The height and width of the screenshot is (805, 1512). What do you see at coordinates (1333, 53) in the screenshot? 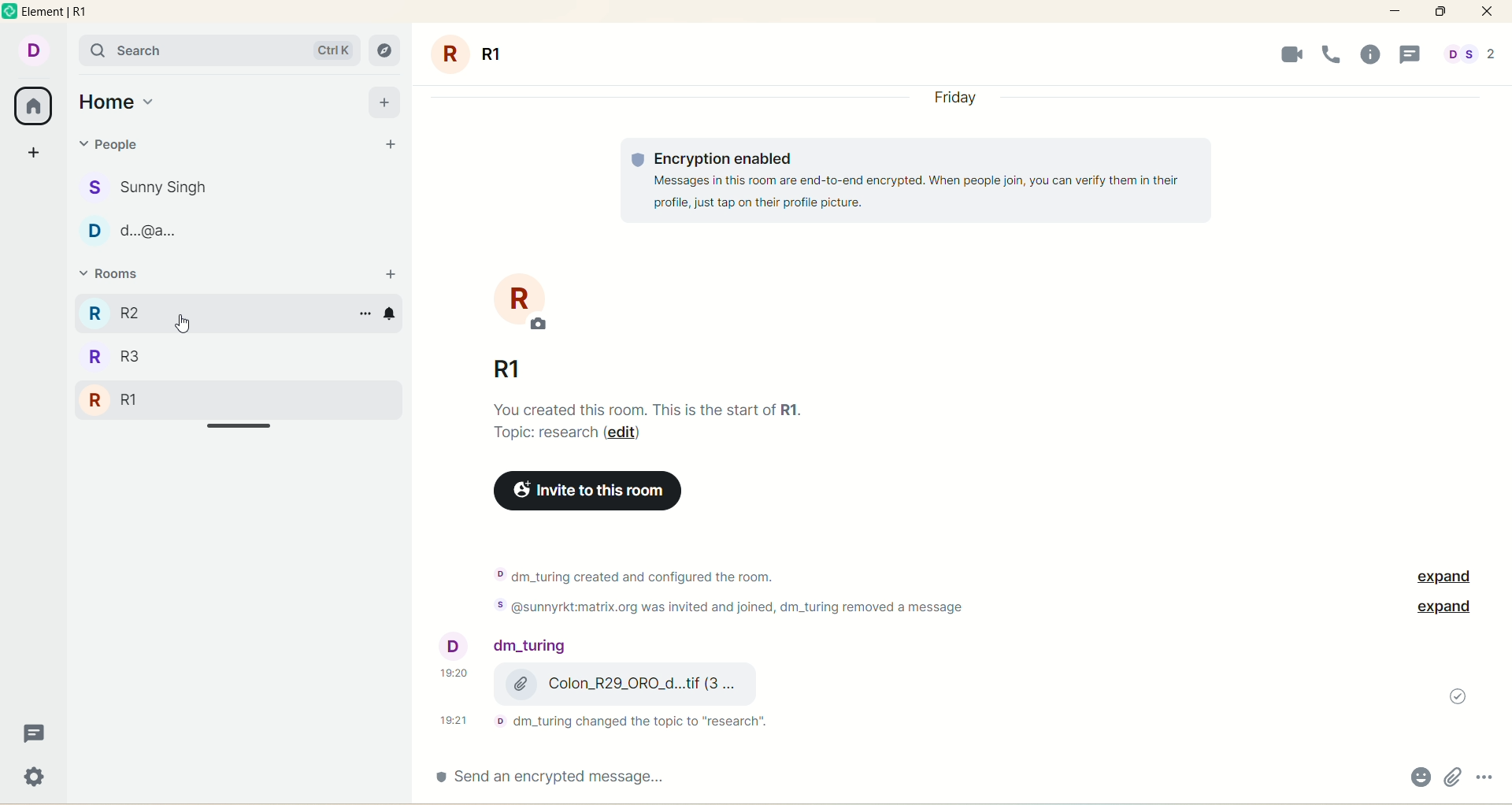
I see `voice call` at bounding box center [1333, 53].